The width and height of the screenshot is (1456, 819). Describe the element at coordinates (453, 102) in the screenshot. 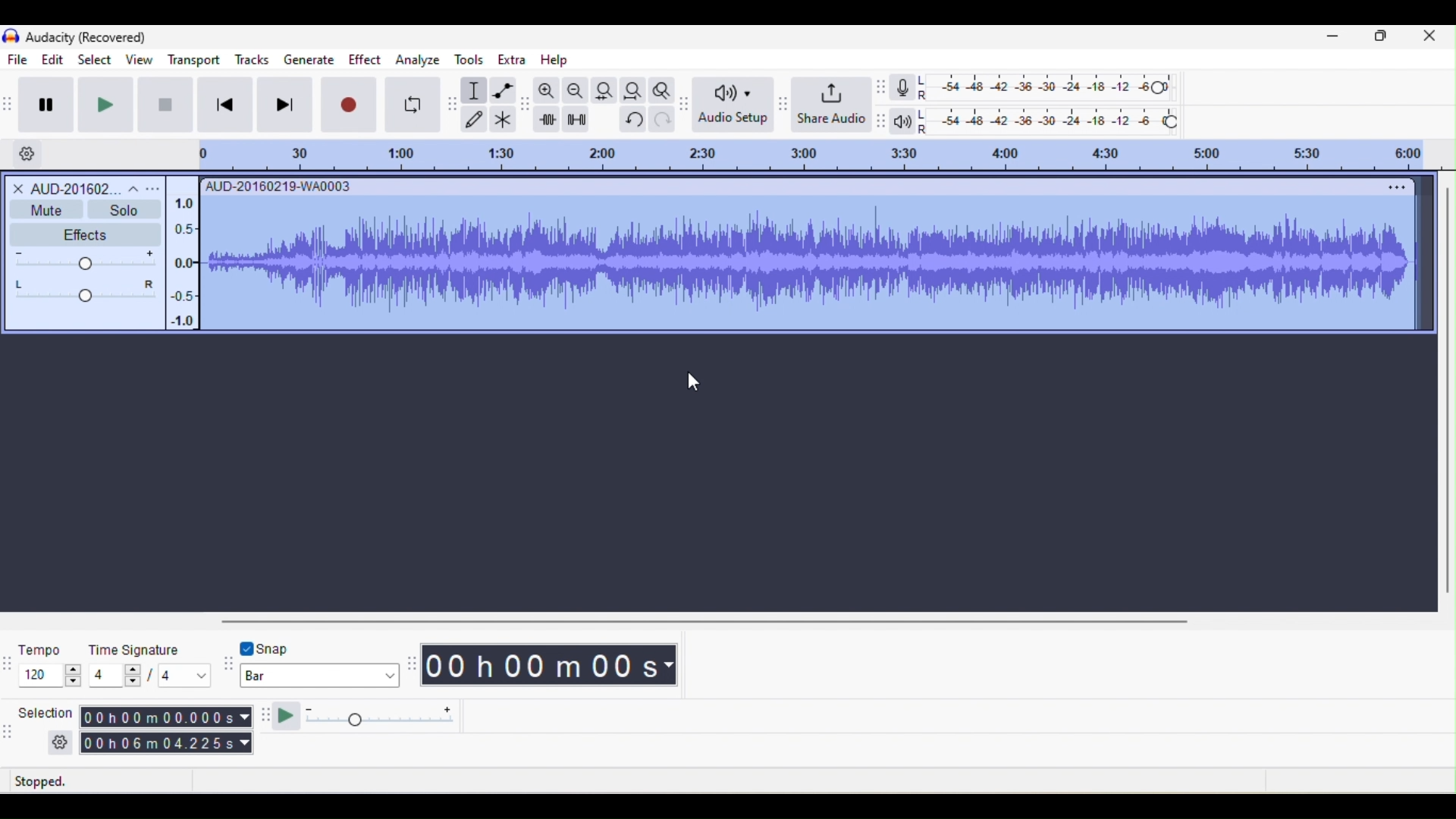

I see `audacity tools toolbar` at that location.